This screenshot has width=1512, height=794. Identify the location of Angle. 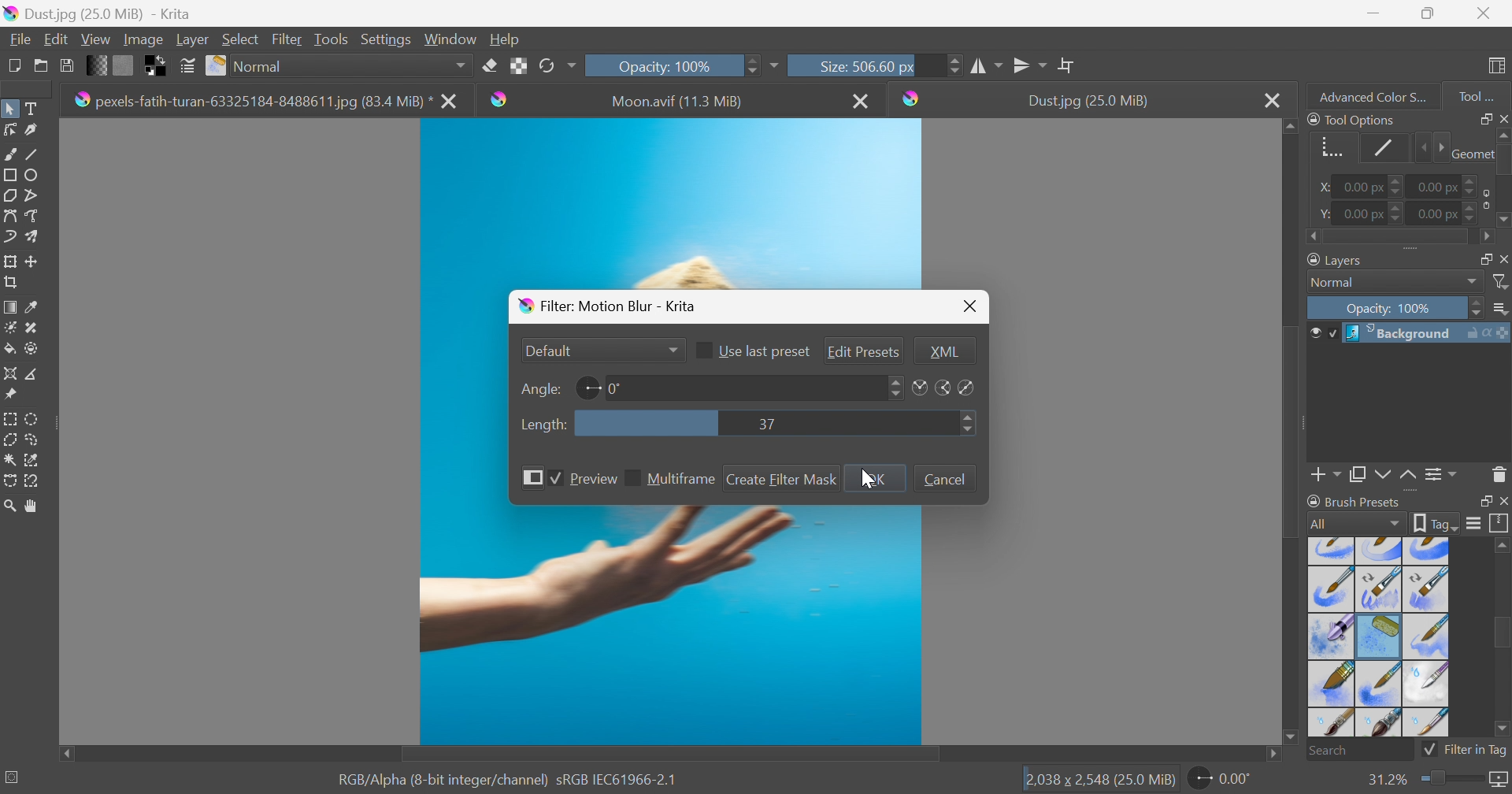
(587, 388).